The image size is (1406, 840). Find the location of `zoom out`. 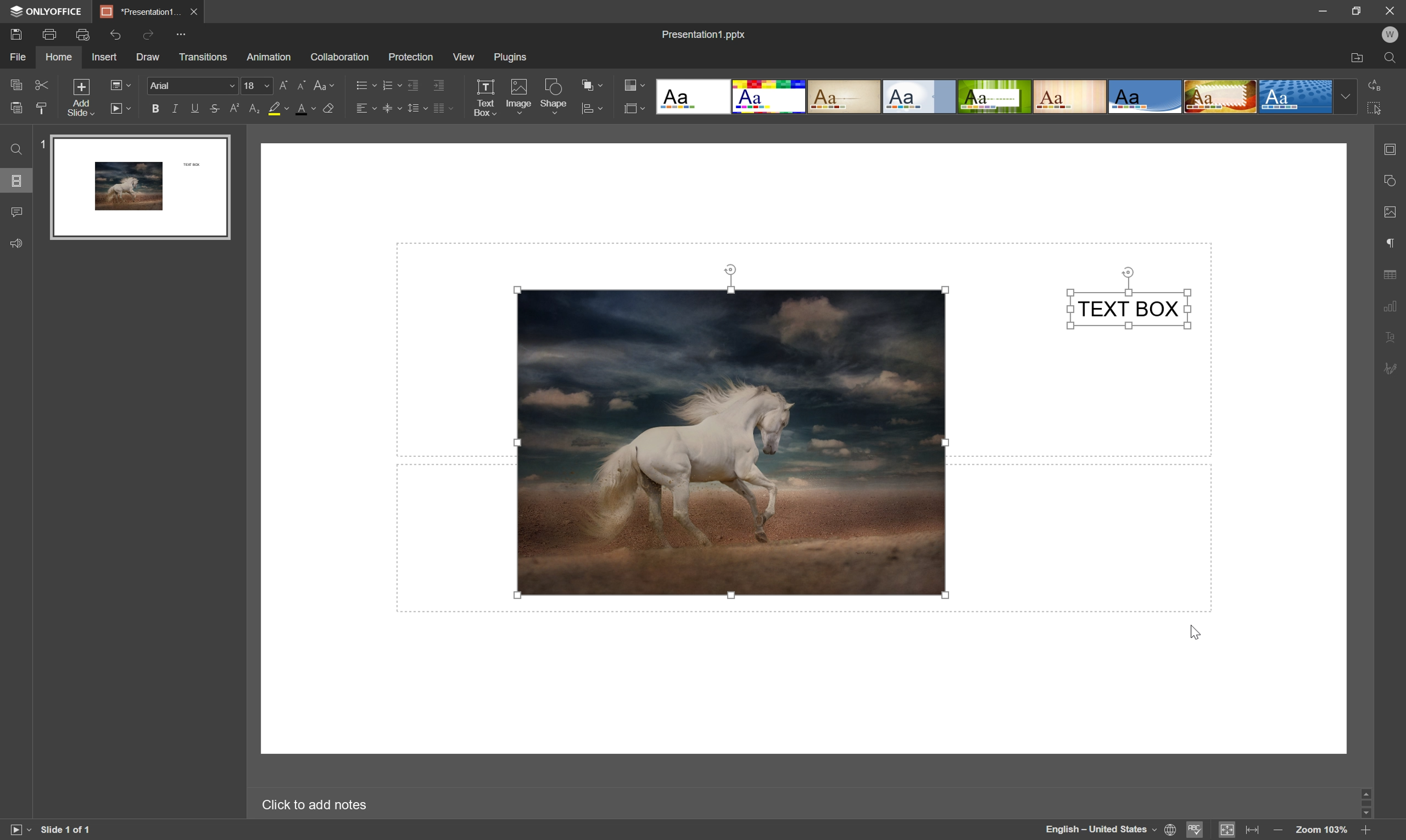

zoom out is located at coordinates (1275, 830).